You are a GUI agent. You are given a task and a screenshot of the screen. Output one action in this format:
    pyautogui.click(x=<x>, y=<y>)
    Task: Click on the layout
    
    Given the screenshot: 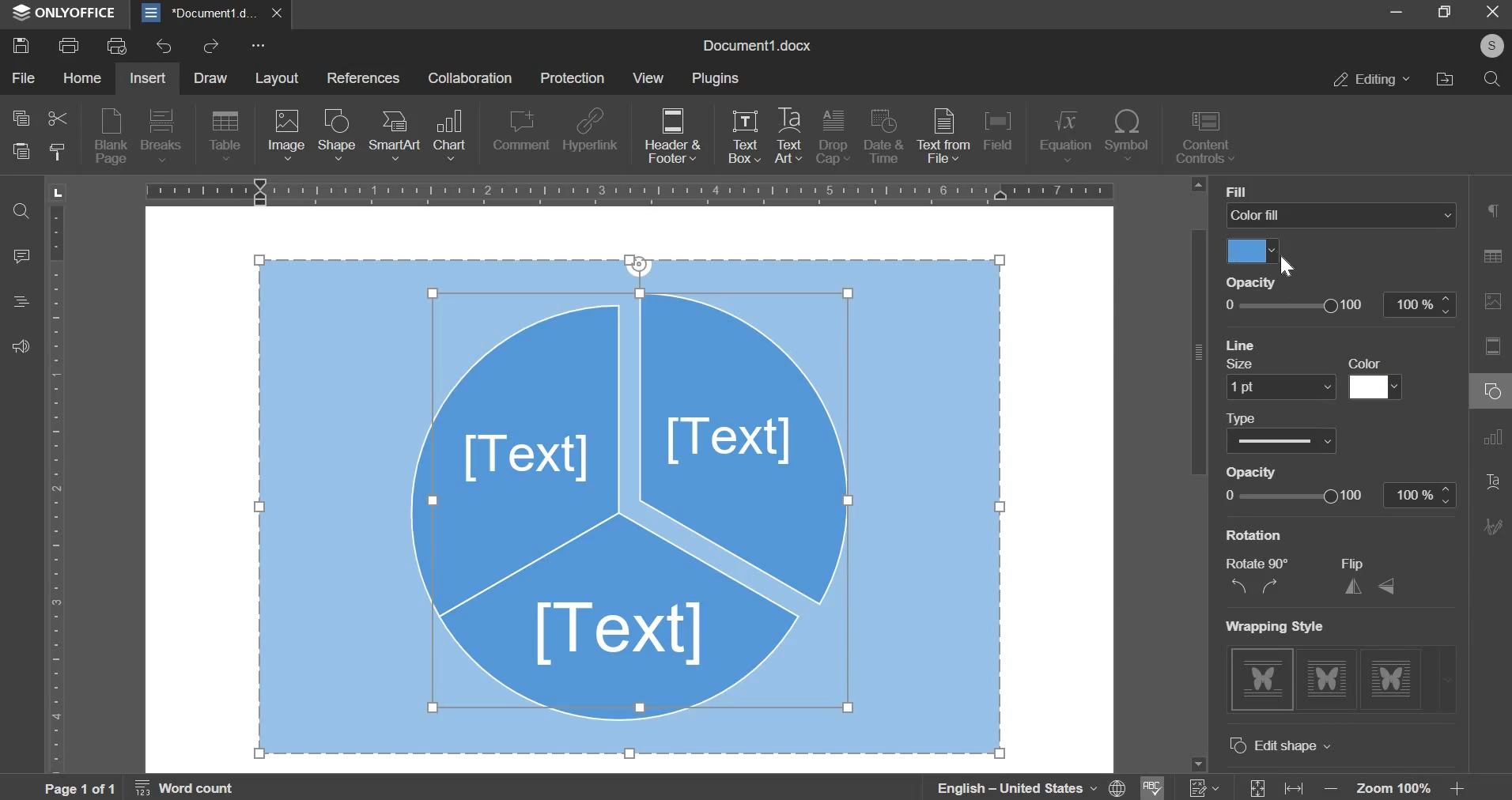 What is the action you would take?
    pyautogui.click(x=284, y=79)
    